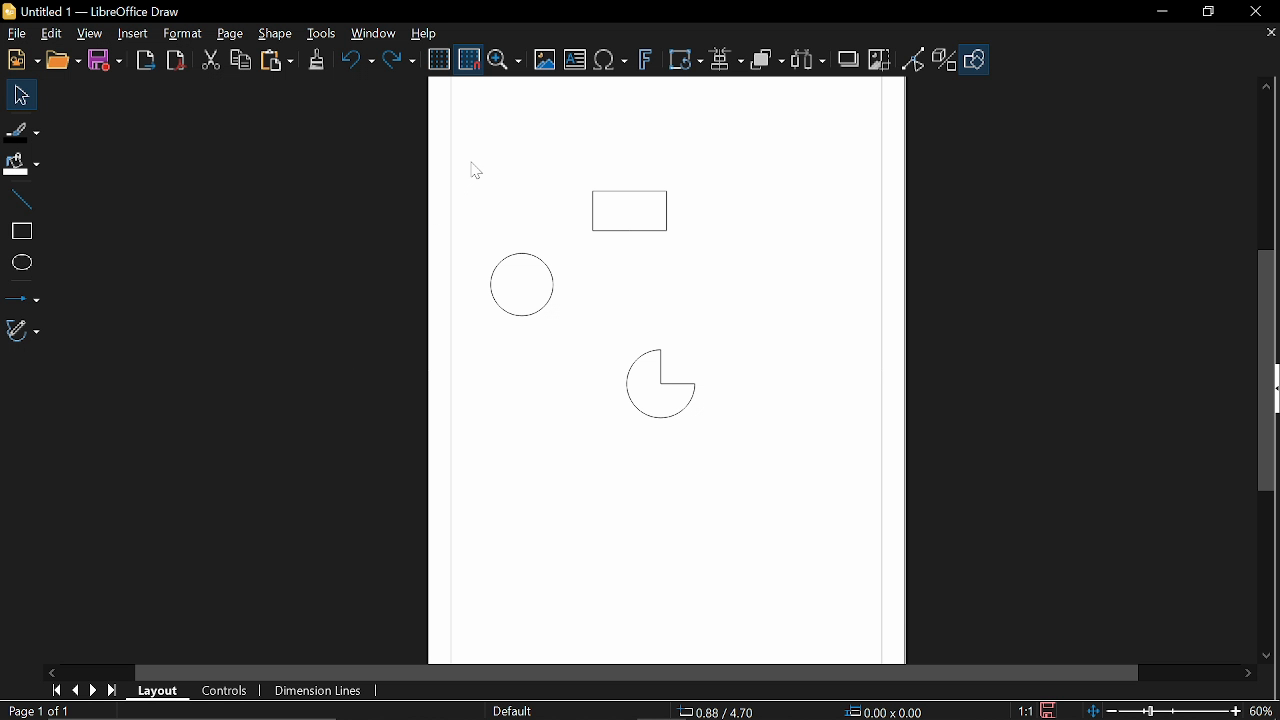 The width and height of the screenshot is (1280, 720). Describe the element at coordinates (22, 297) in the screenshot. I see `Lines and arrows` at that location.